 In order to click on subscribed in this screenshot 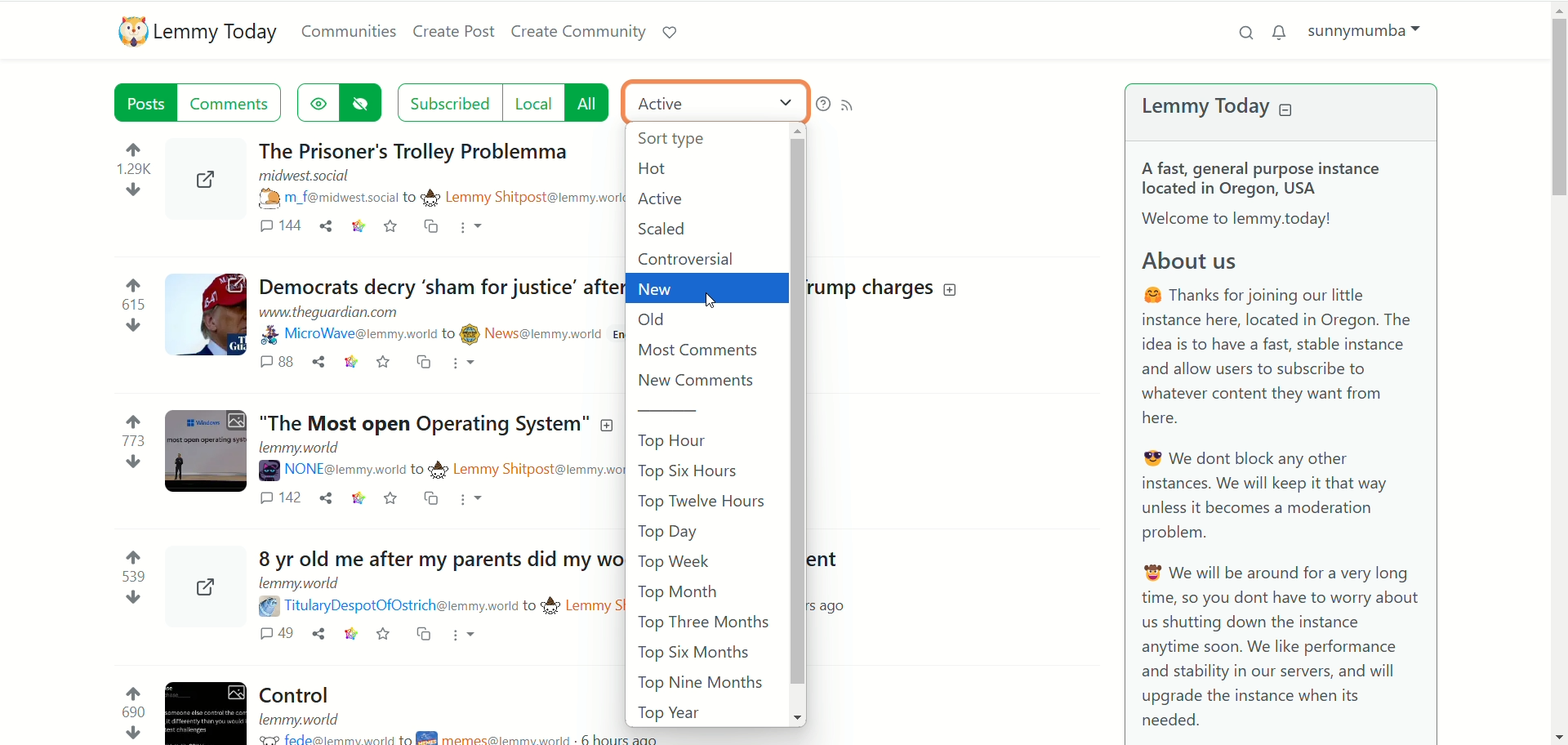, I will do `click(448, 102)`.